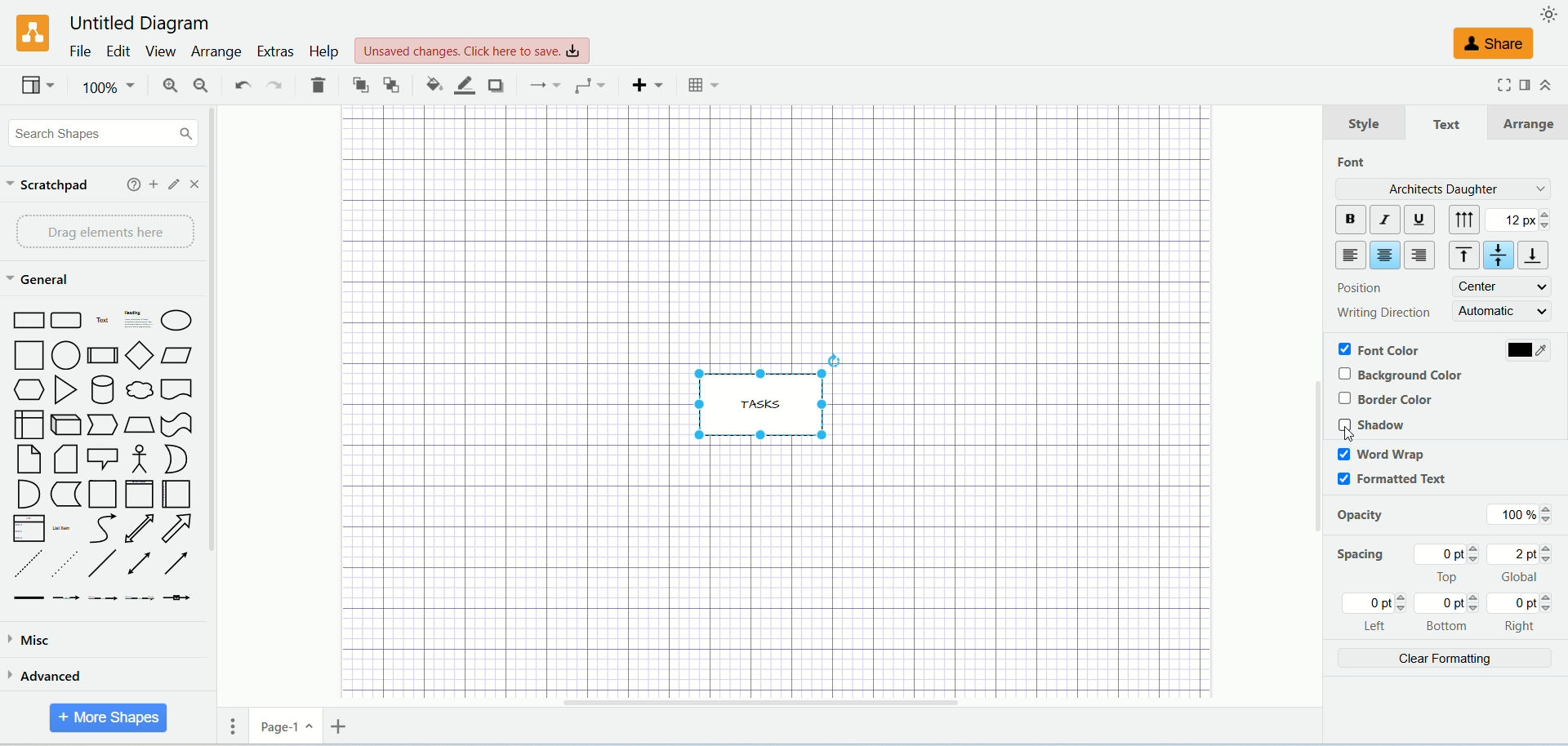 This screenshot has width=1568, height=746. Describe the element at coordinates (240, 86) in the screenshot. I see `undo` at that location.